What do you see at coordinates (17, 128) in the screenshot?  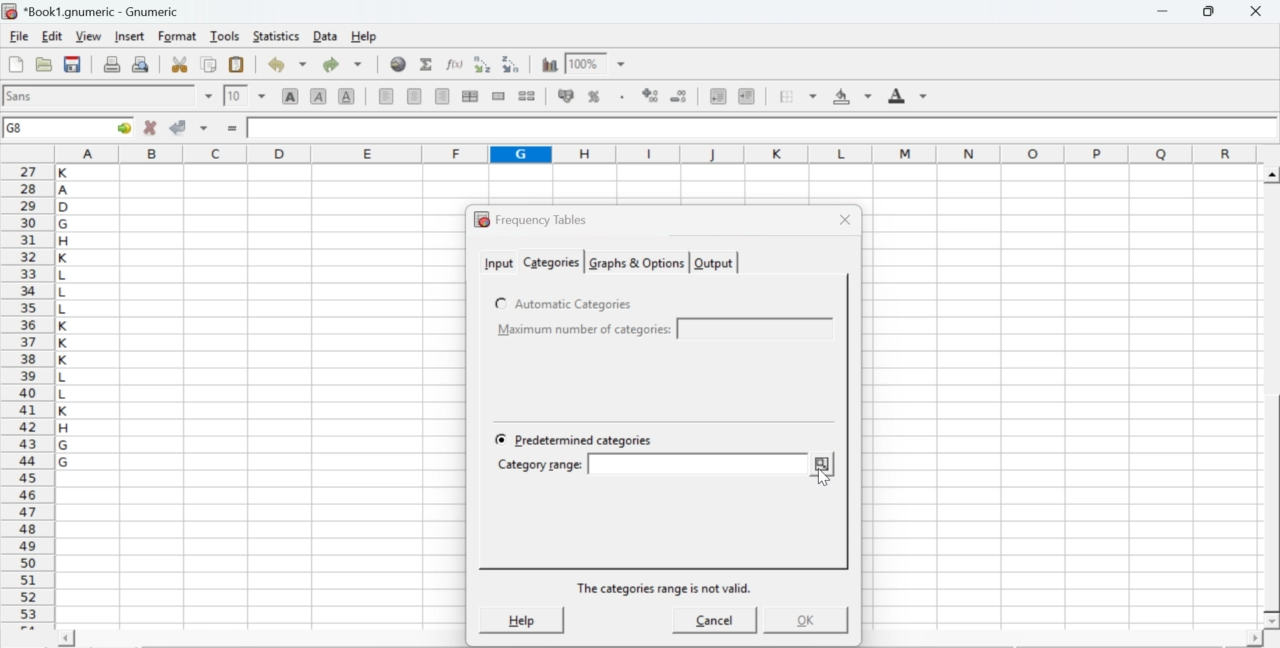 I see `G8` at bounding box center [17, 128].